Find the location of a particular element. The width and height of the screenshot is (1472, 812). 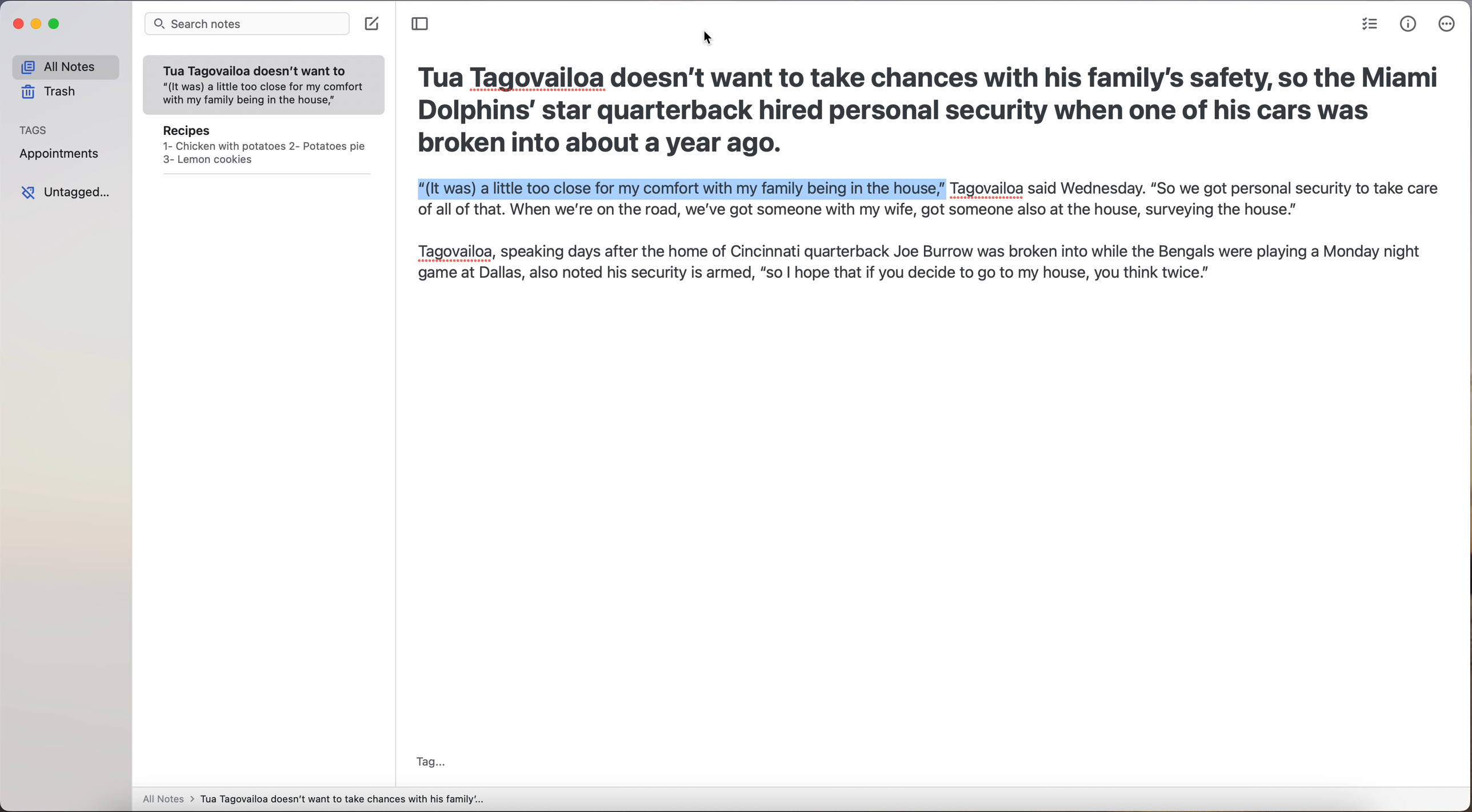

more options is located at coordinates (1448, 24).